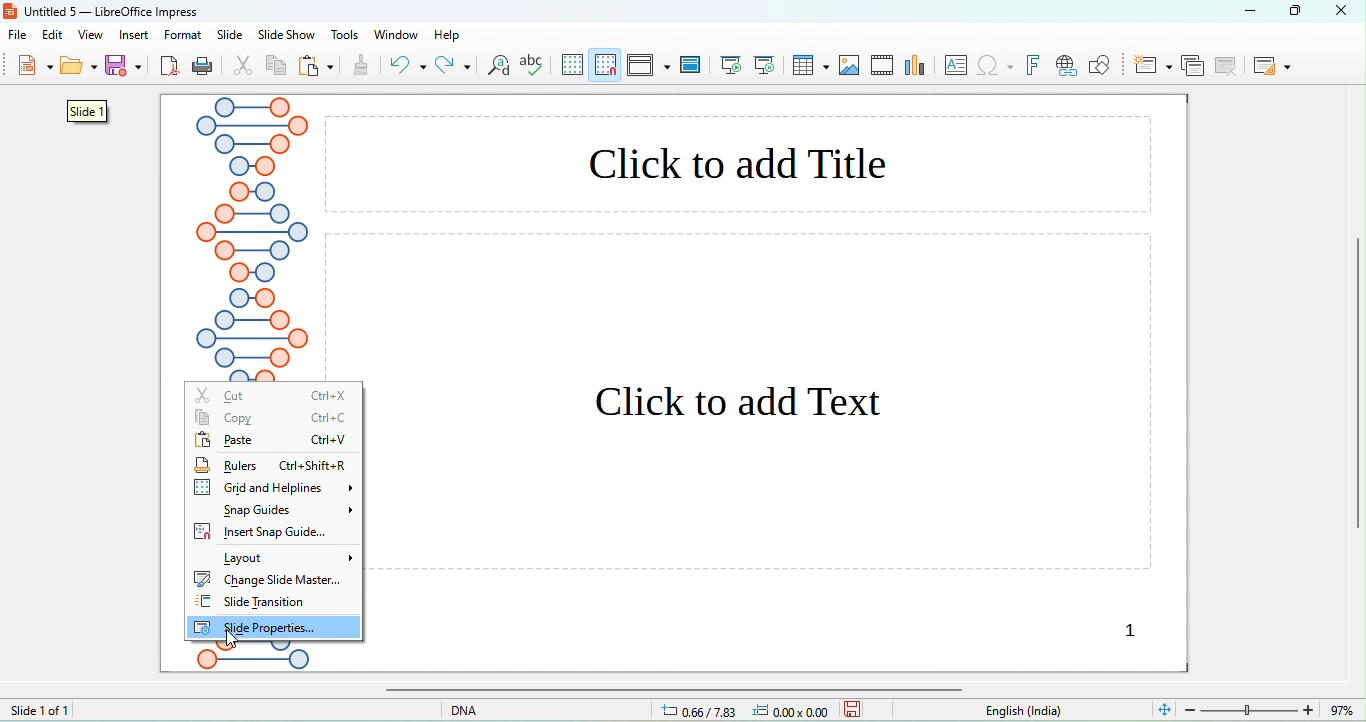 The height and width of the screenshot is (722, 1366). I want to click on rulers, so click(271, 464).